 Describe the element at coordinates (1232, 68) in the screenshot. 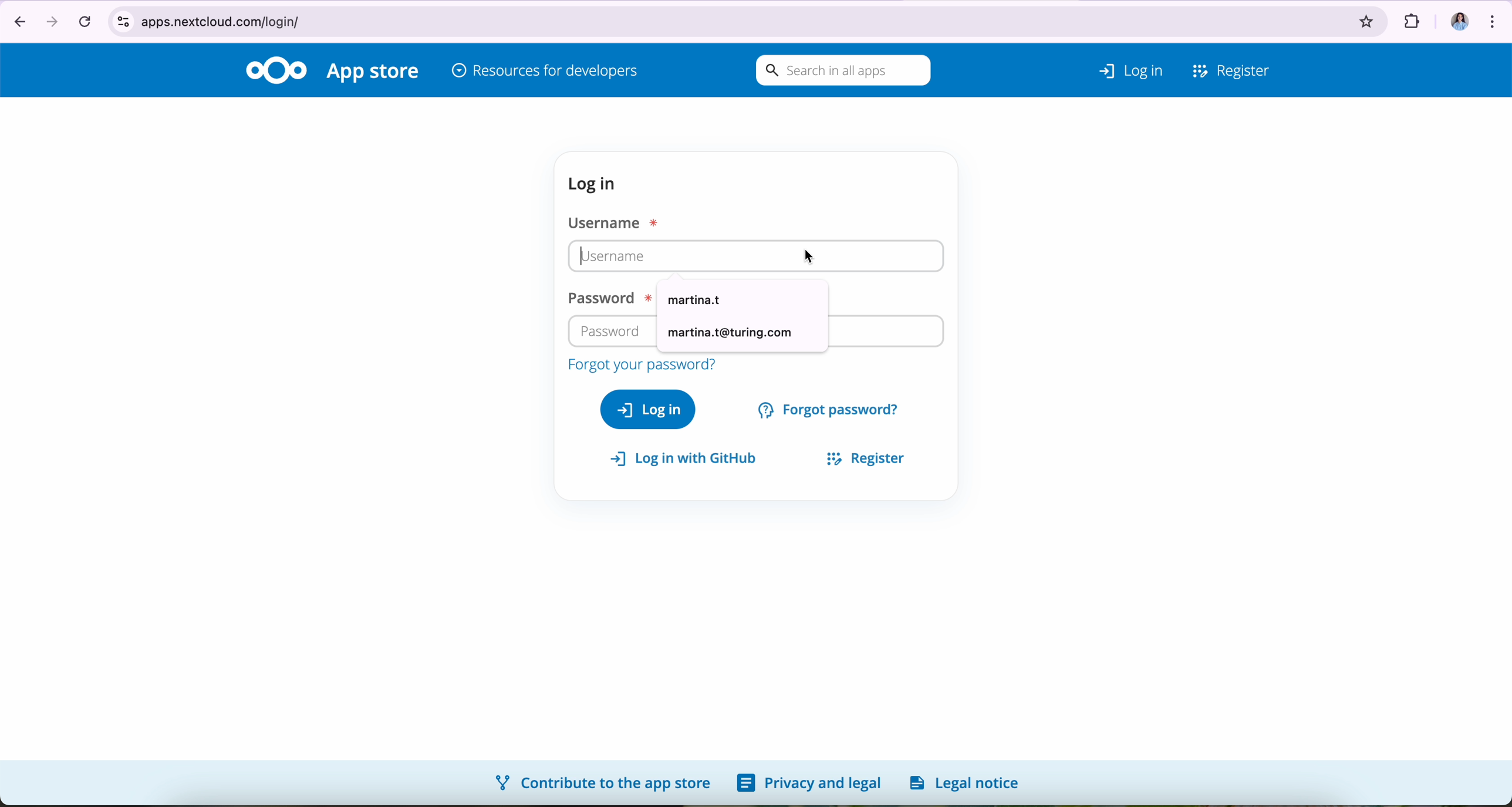

I see `register` at that location.